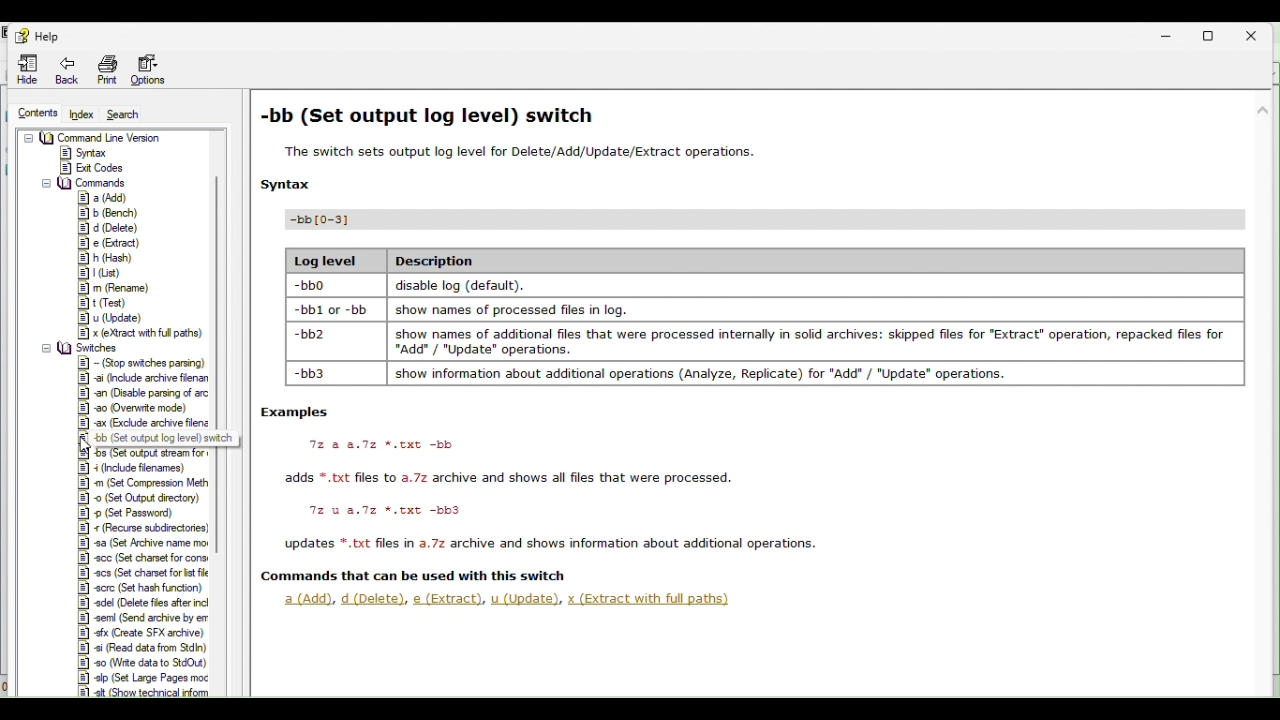 The height and width of the screenshot is (720, 1280). What do you see at coordinates (145, 528) in the screenshot?
I see `£] + (Recurse subdirectories)` at bounding box center [145, 528].